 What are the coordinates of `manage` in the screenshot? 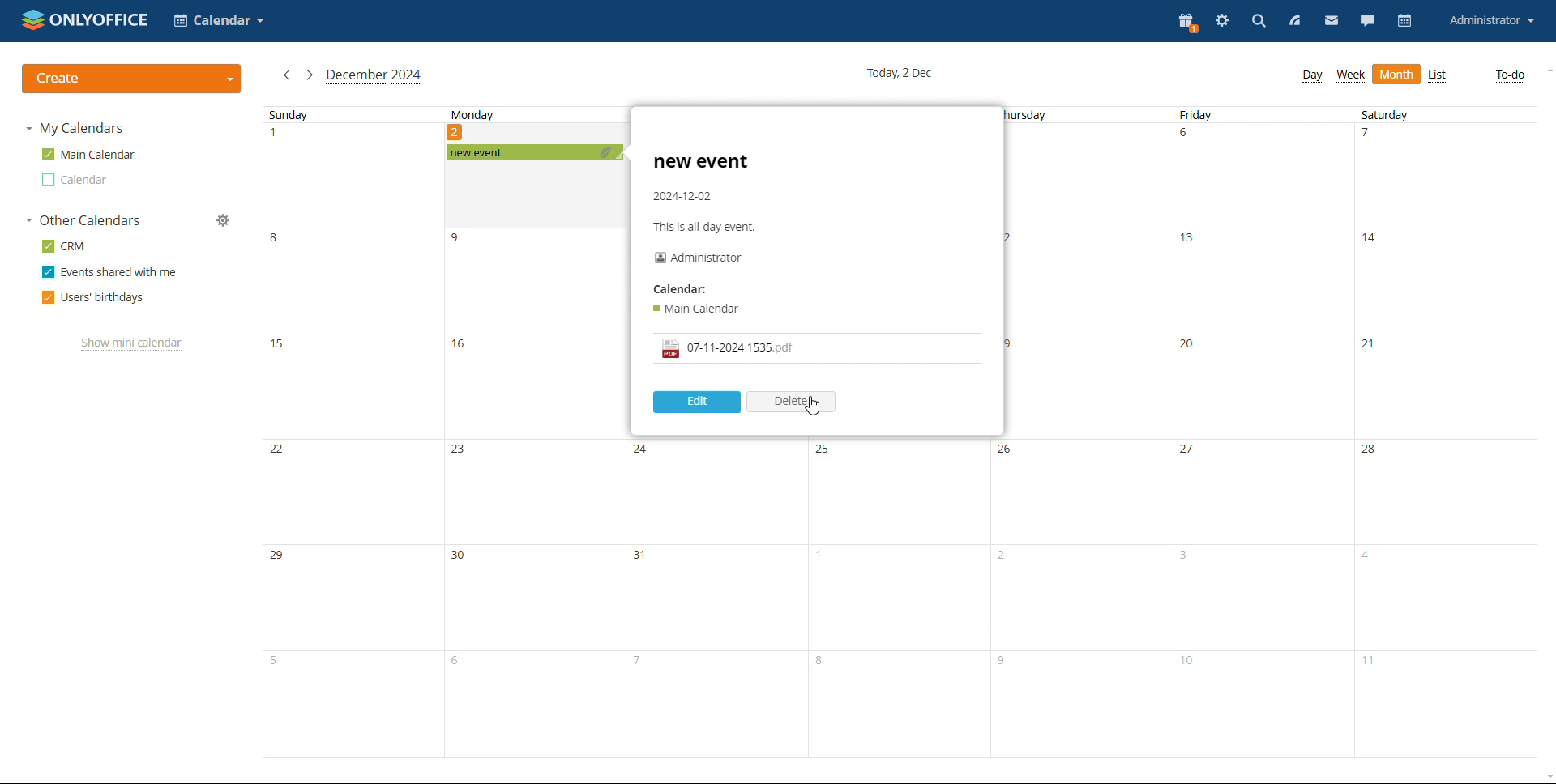 It's located at (223, 220).